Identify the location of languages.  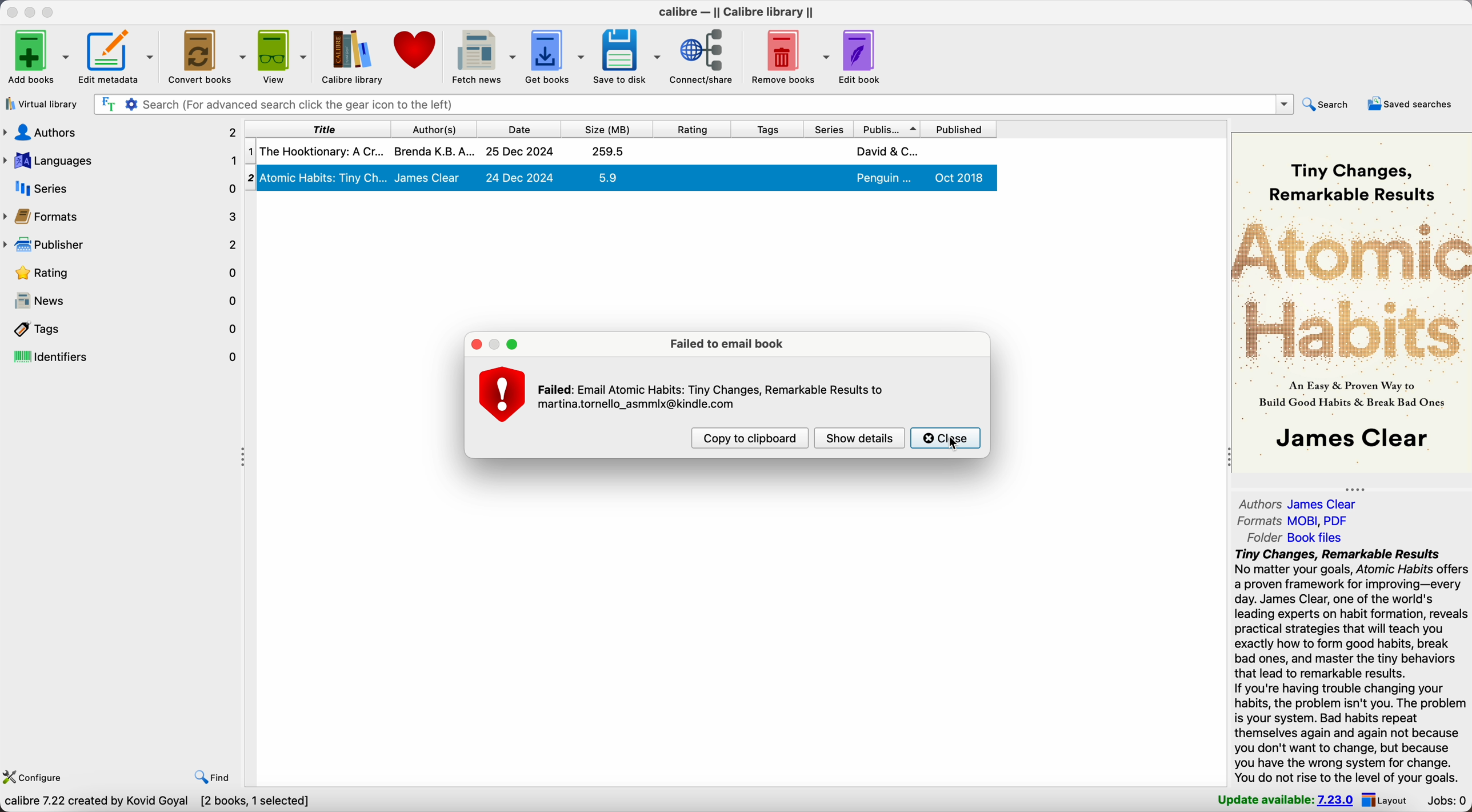
(121, 162).